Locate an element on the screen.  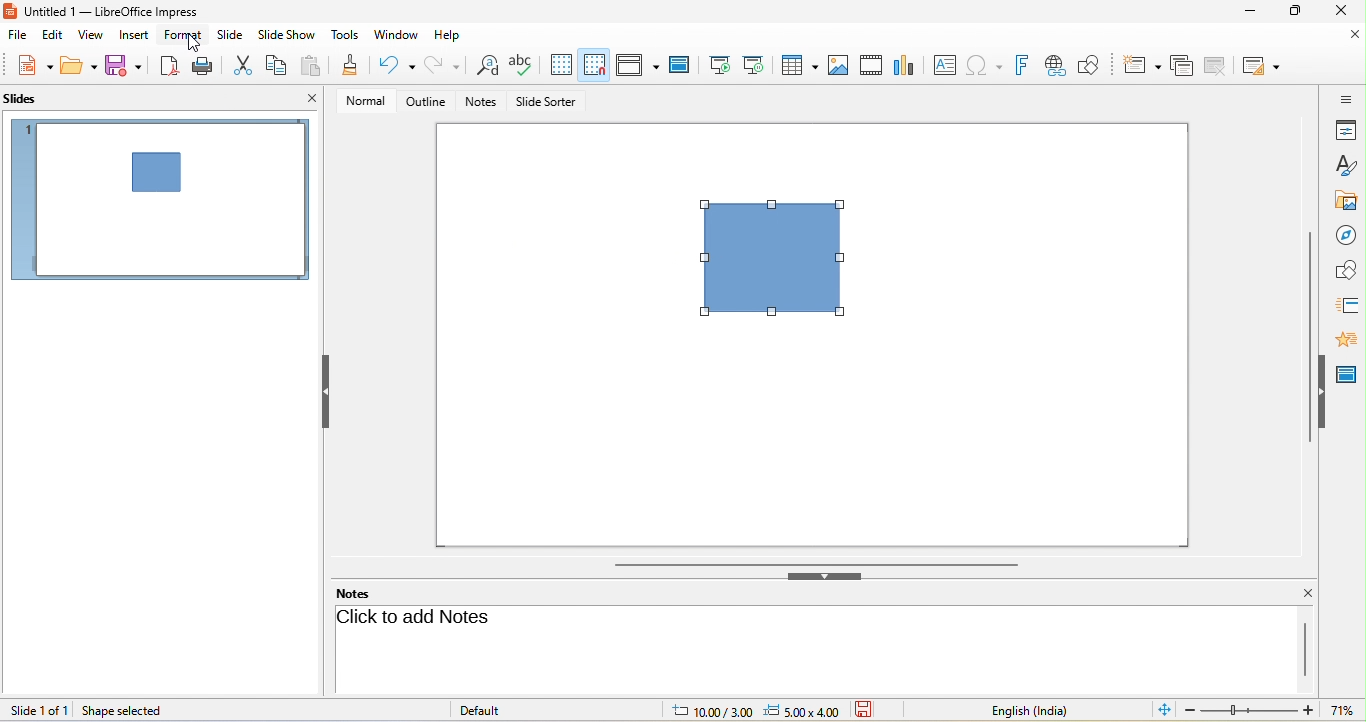
chart is located at coordinates (904, 63).